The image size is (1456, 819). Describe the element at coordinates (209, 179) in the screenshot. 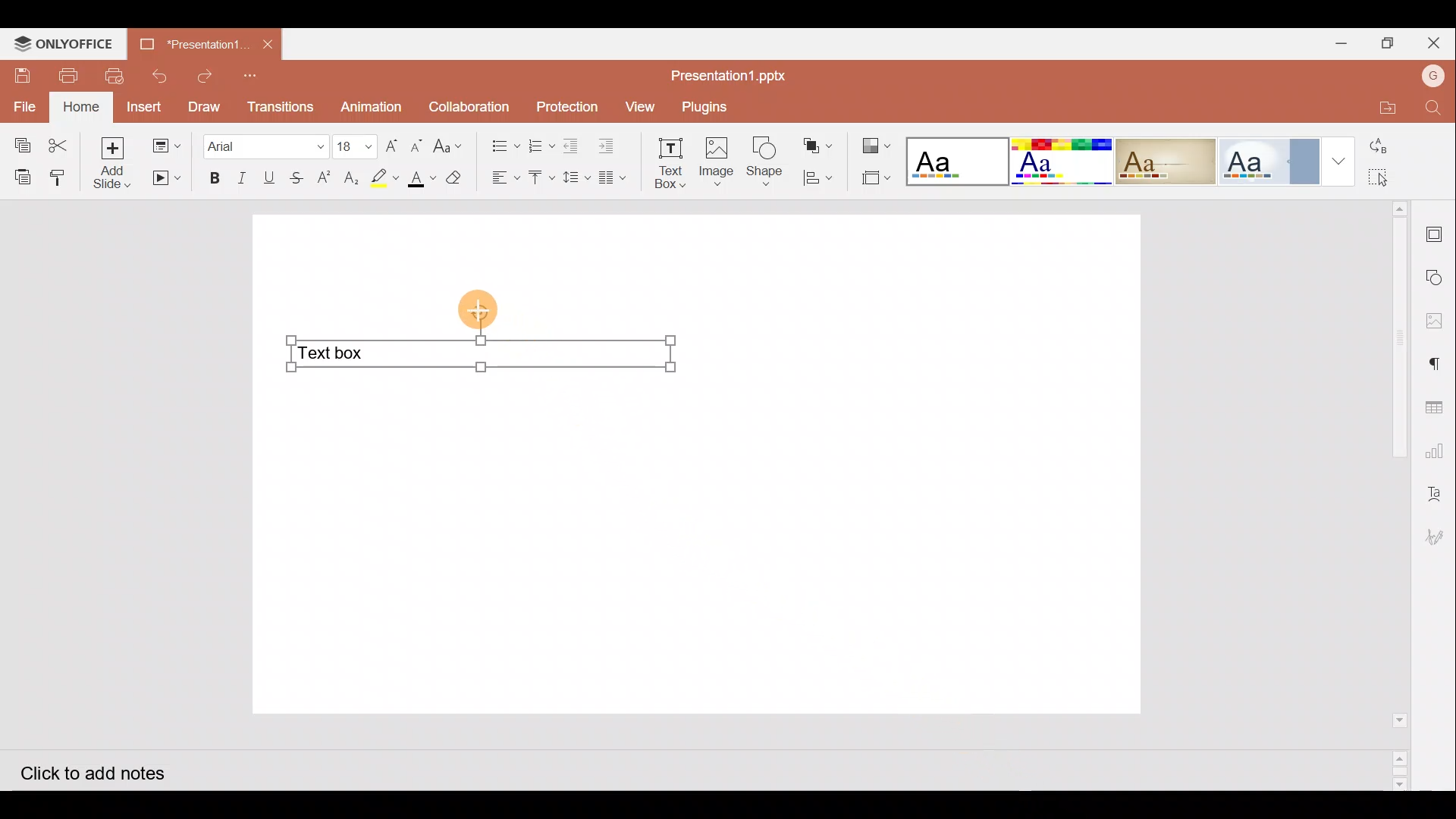

I see `Bold` at that location.